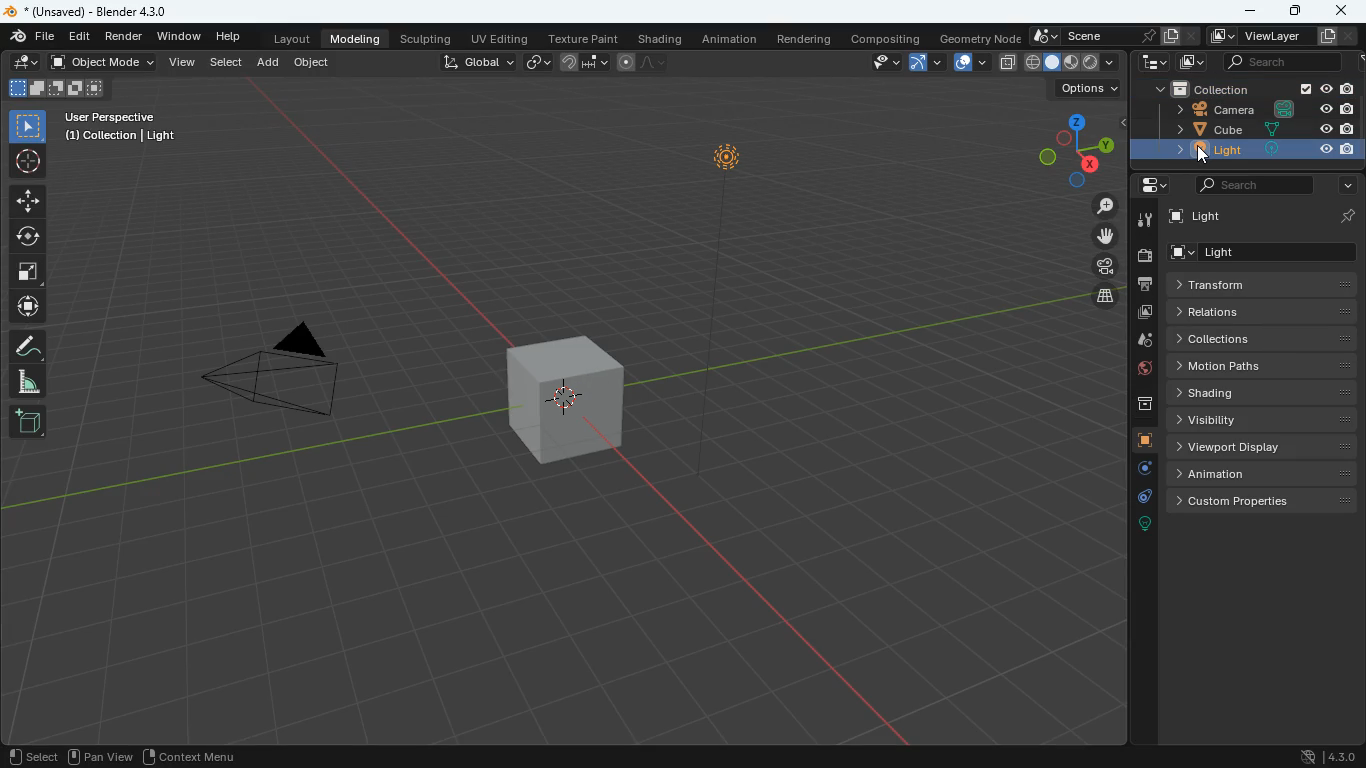  What do you see at coordinates (502, 38) in the screenshot?
I see `uv editing` at bounding box center [502, 38].